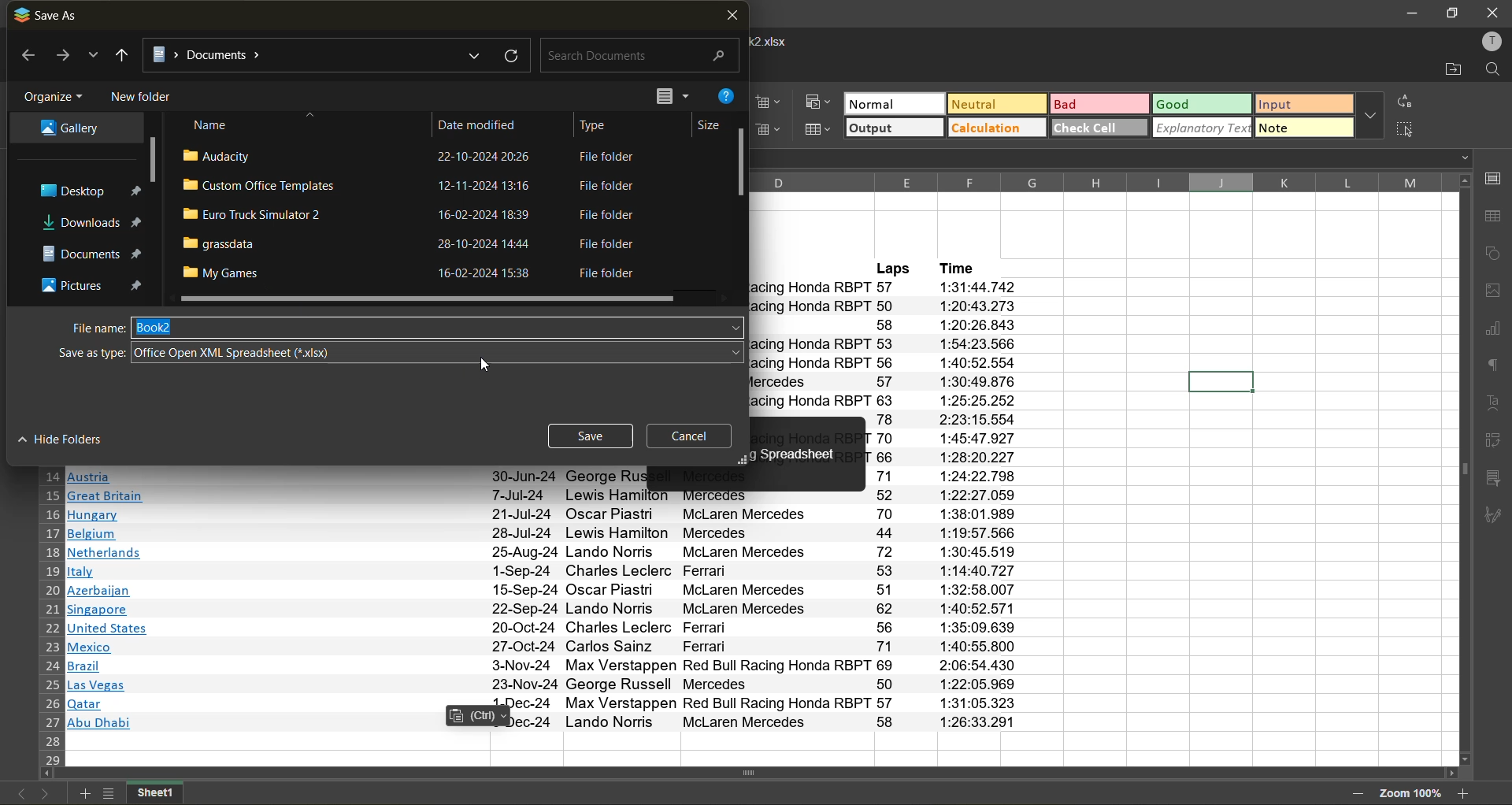 Image resolution: width=1512 pixels, height=805 pixels. Describe the element at coordinates (1408, 101) in the screenshot. I see `replace` at that location.